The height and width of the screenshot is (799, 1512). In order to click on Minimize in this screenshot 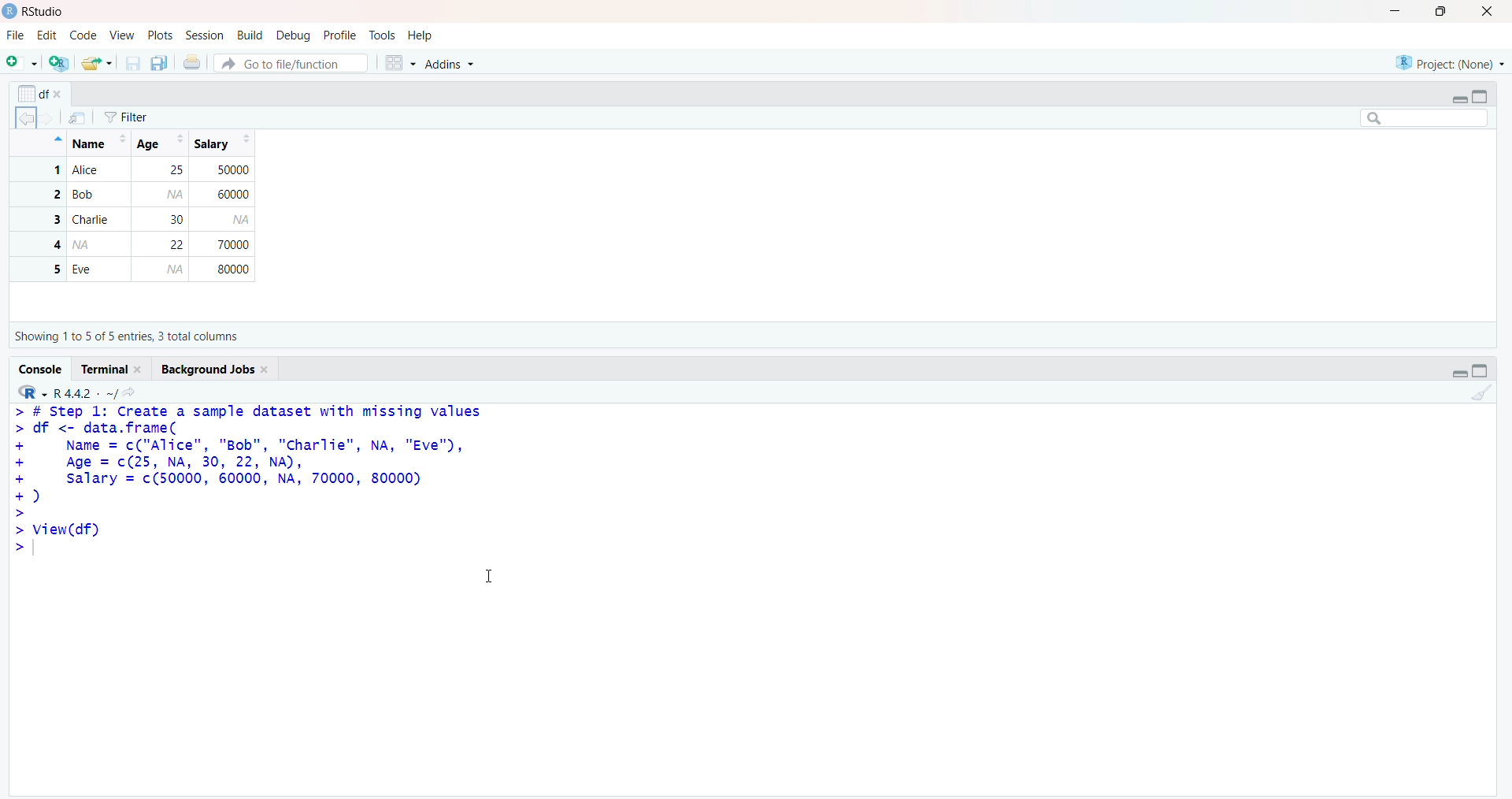, I will do `click(1392, 11)`.